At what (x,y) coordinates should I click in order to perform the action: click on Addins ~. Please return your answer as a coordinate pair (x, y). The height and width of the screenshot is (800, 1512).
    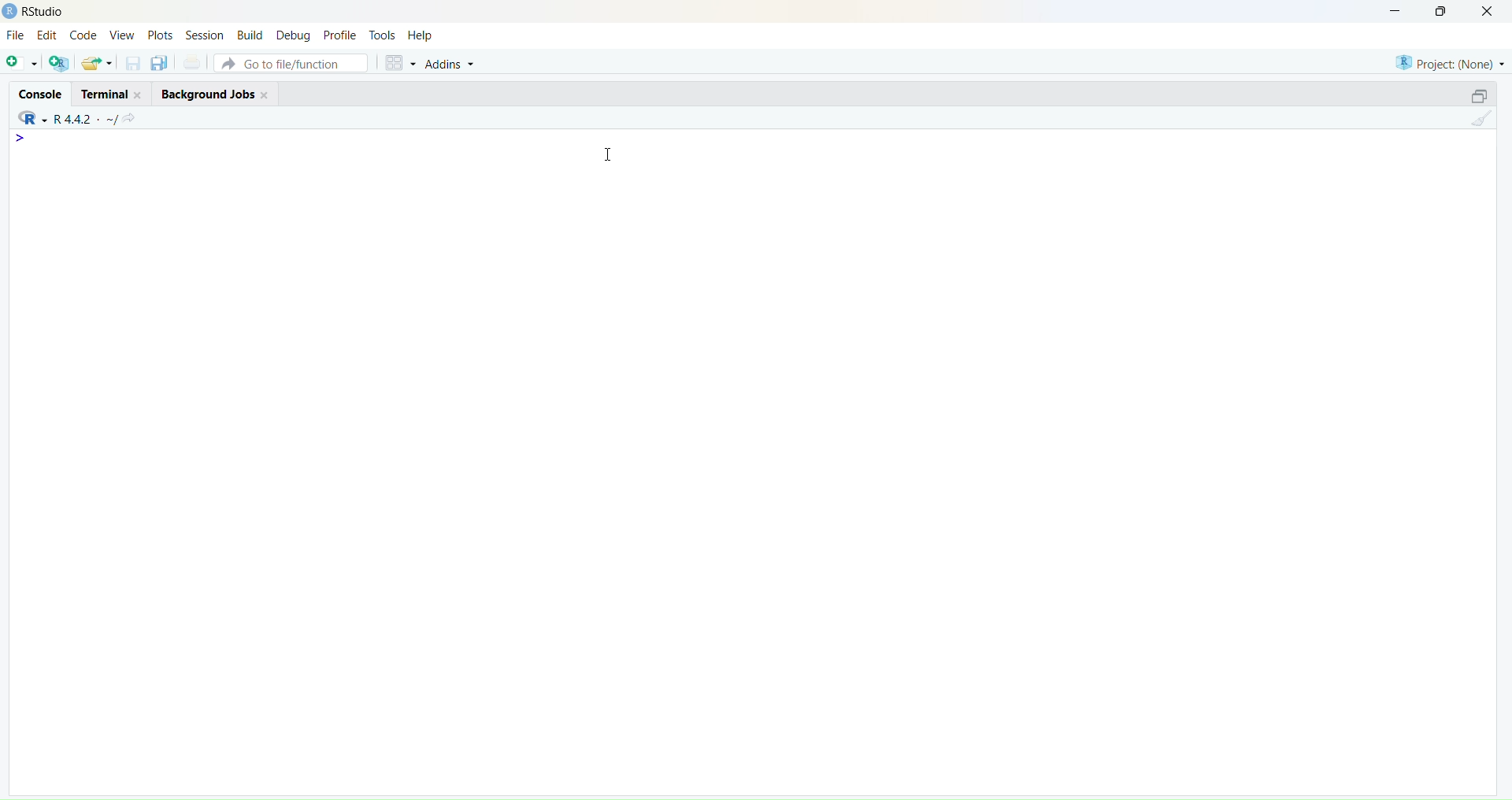
    Looking at the image, I should click on (450, 64).